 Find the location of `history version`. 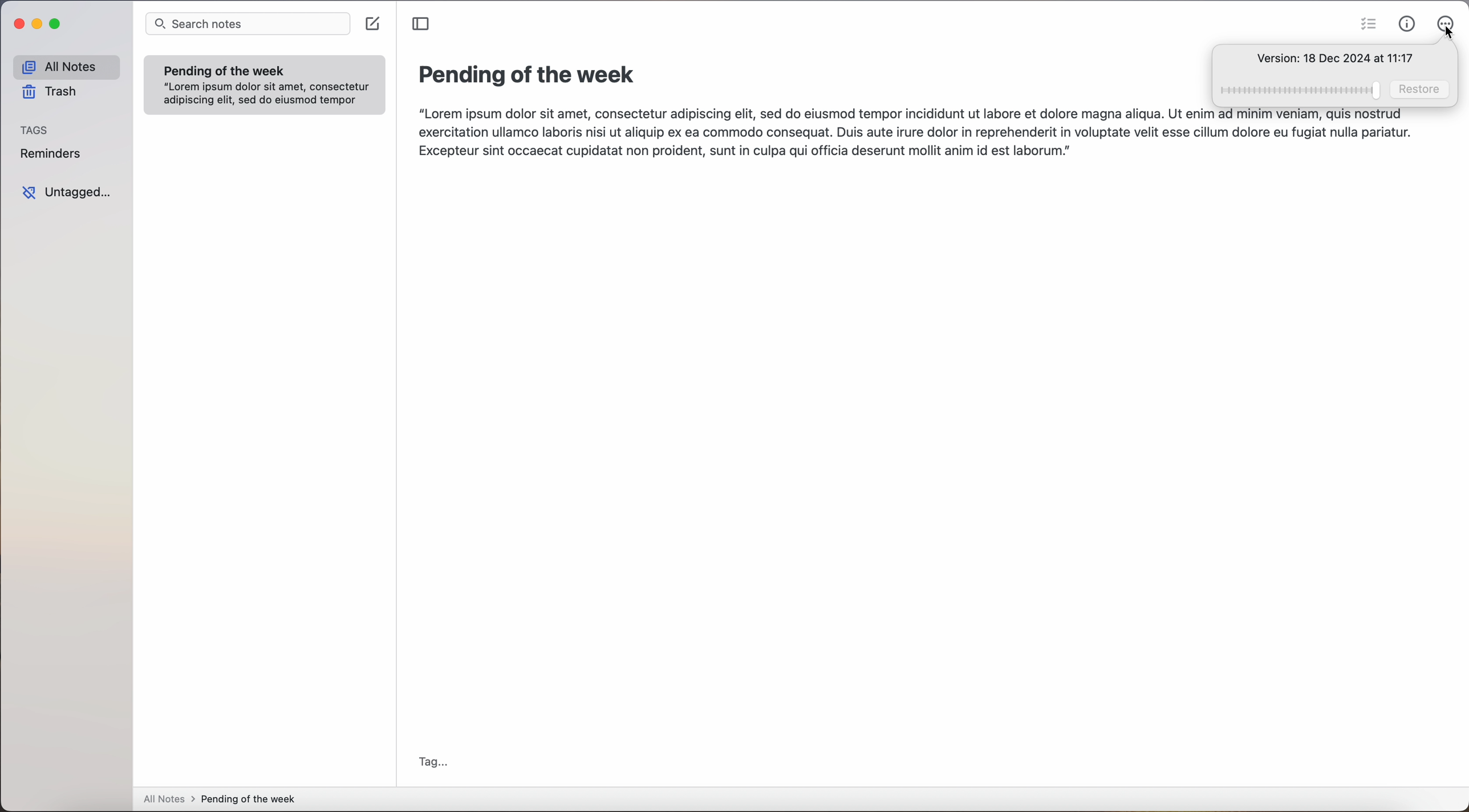

history version is located at coordinates (1334, 60).